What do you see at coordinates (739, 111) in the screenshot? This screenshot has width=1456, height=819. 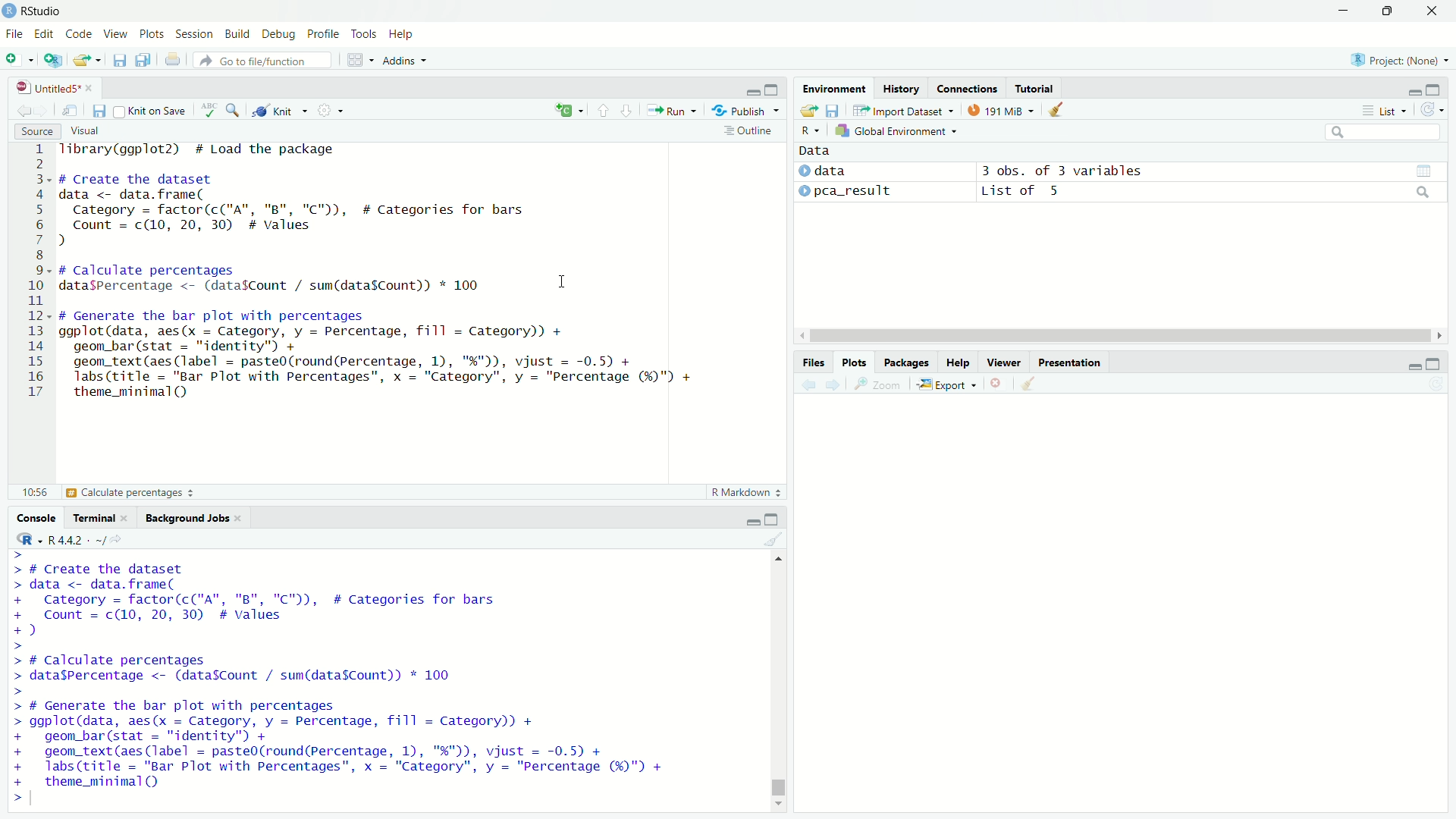 I see `publish` at bounding box center [739, 111].